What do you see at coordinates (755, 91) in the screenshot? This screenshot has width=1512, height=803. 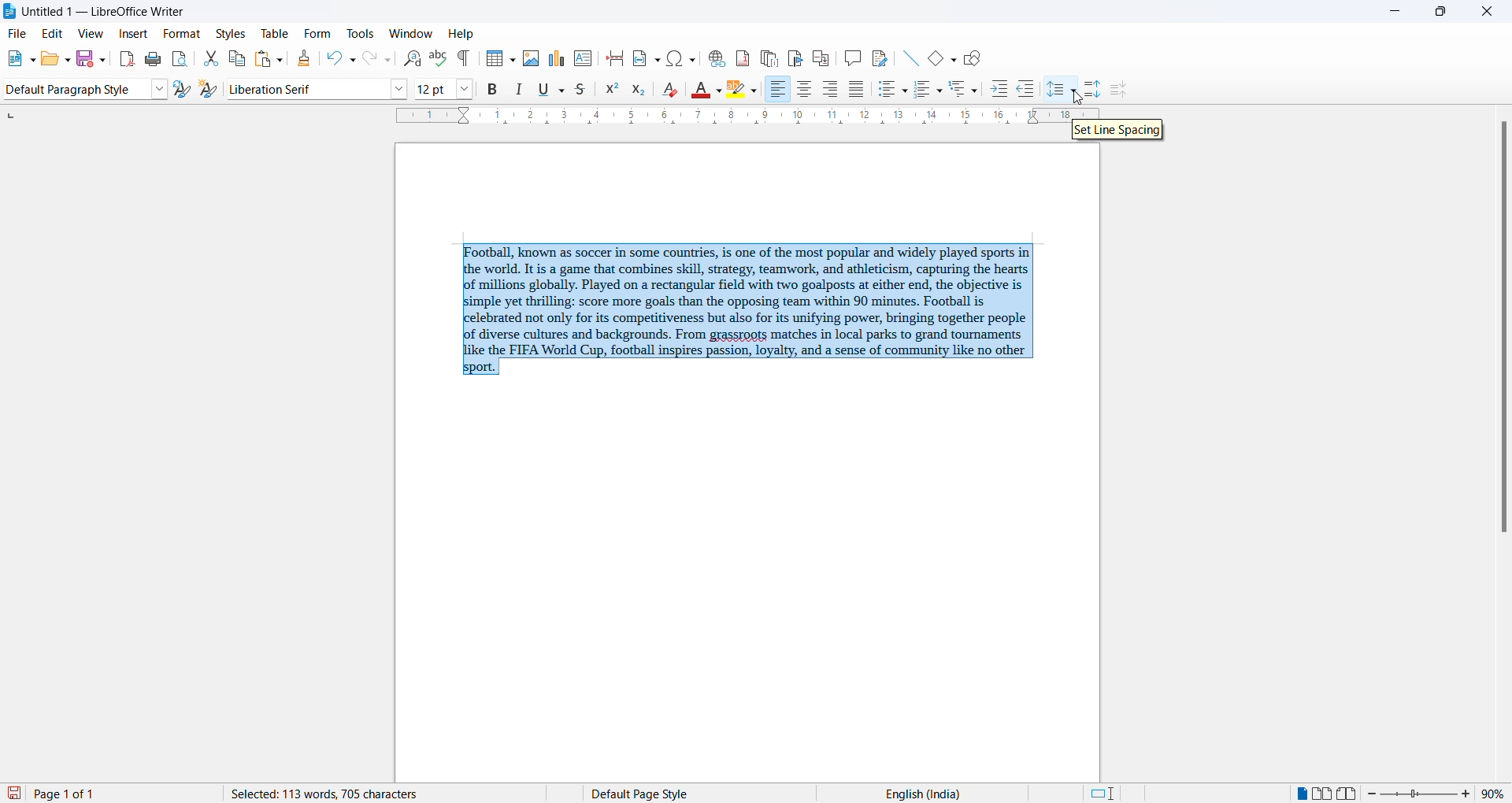 I see `character highlighting options` at bounding box center [755, 91].